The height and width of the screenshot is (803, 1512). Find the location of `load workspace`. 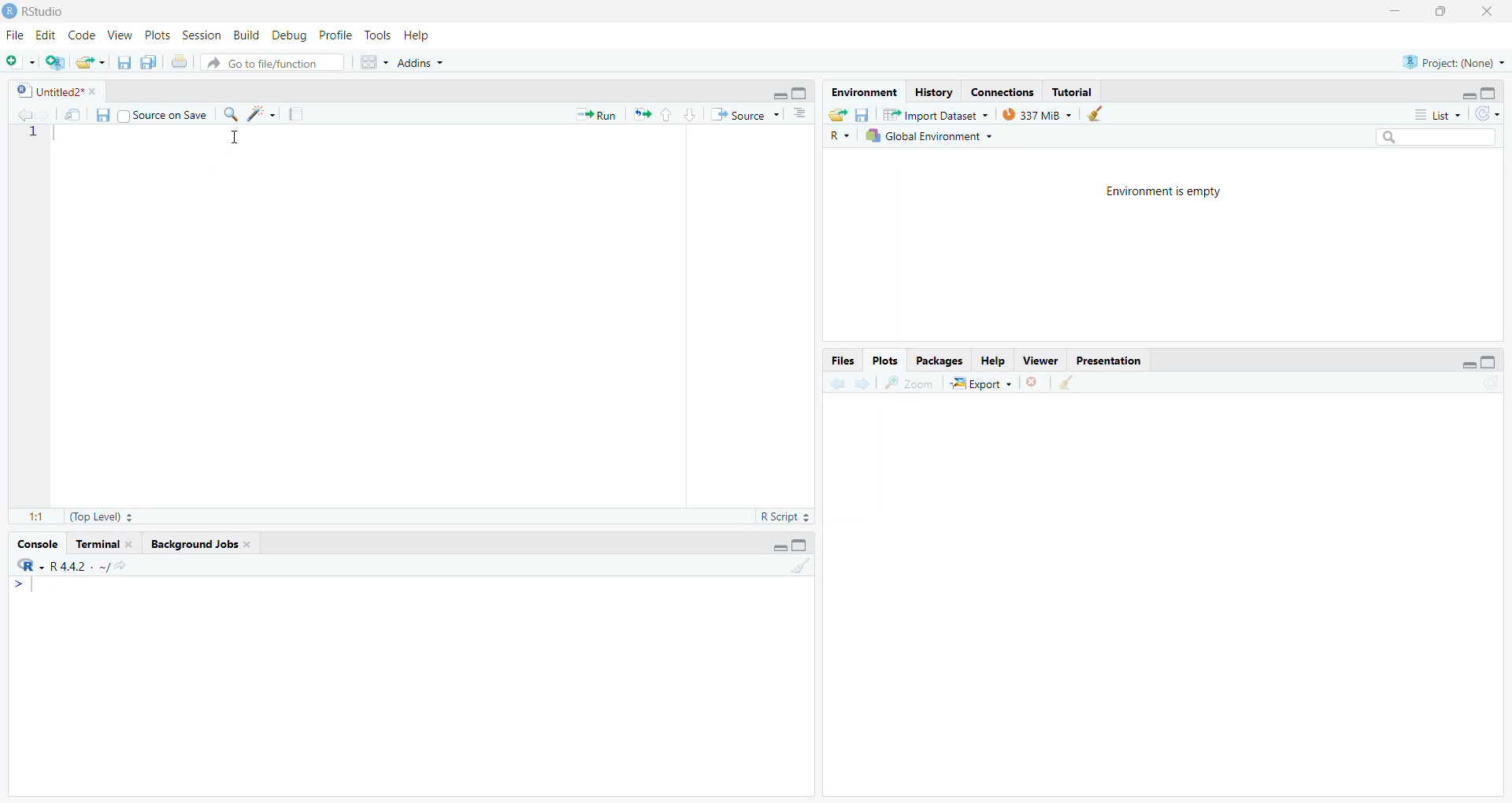

load workspace is located at coordinates (838, 115).